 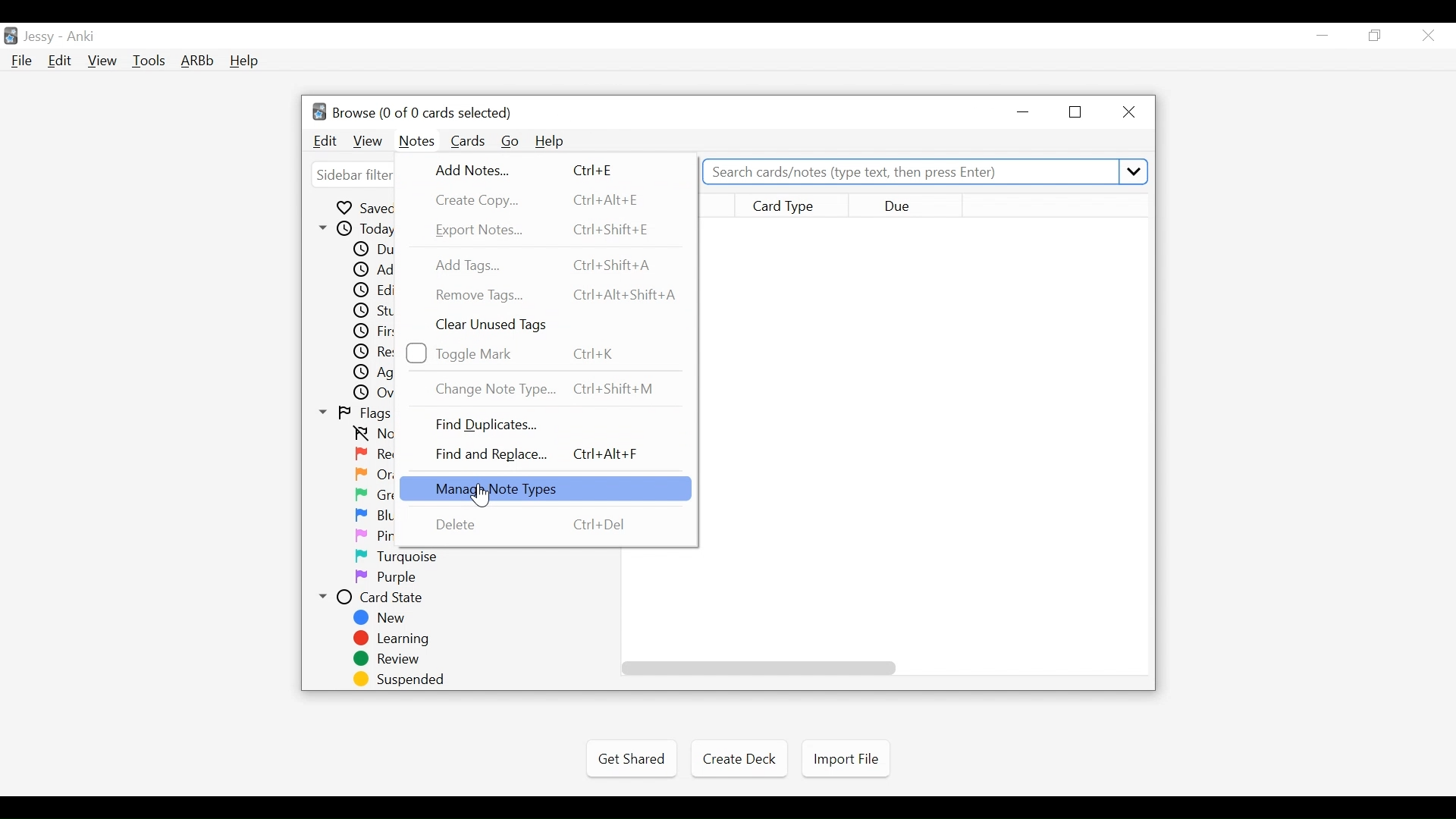 What do you see at coordinates (1322, 36) in the screenshot?
I see `minimize` at bounding box center [1322, 36].